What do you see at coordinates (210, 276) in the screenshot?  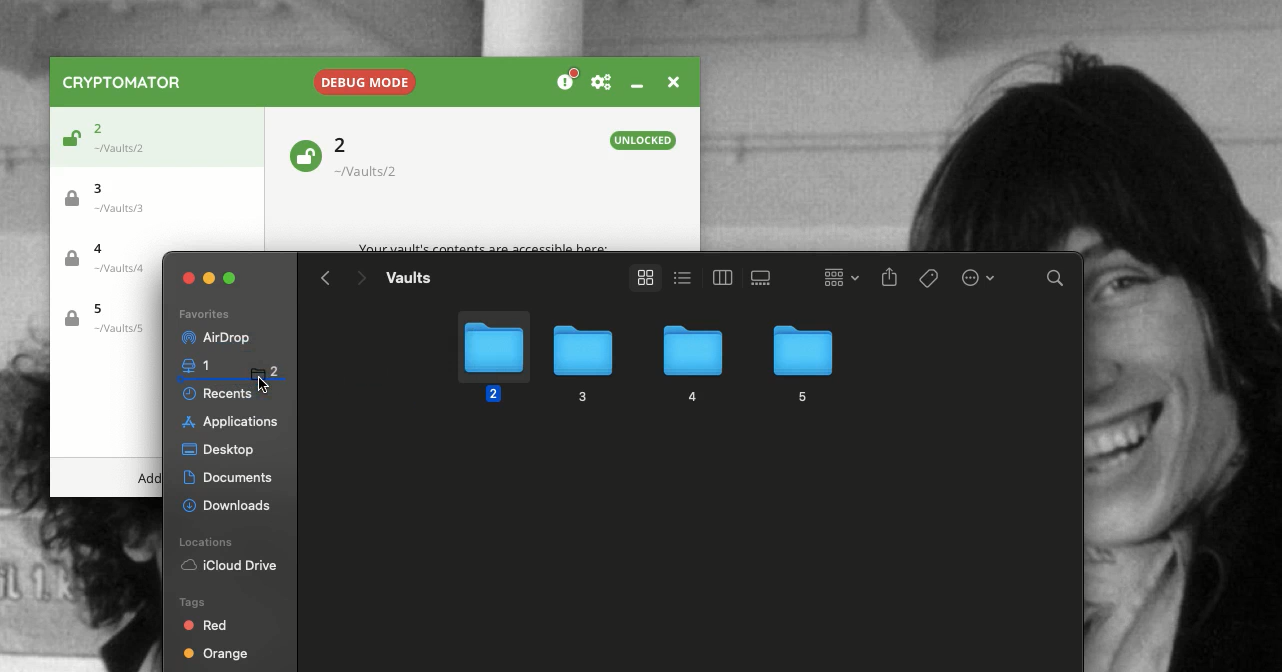 I see `Minimize` at bounding box center [210, 276].